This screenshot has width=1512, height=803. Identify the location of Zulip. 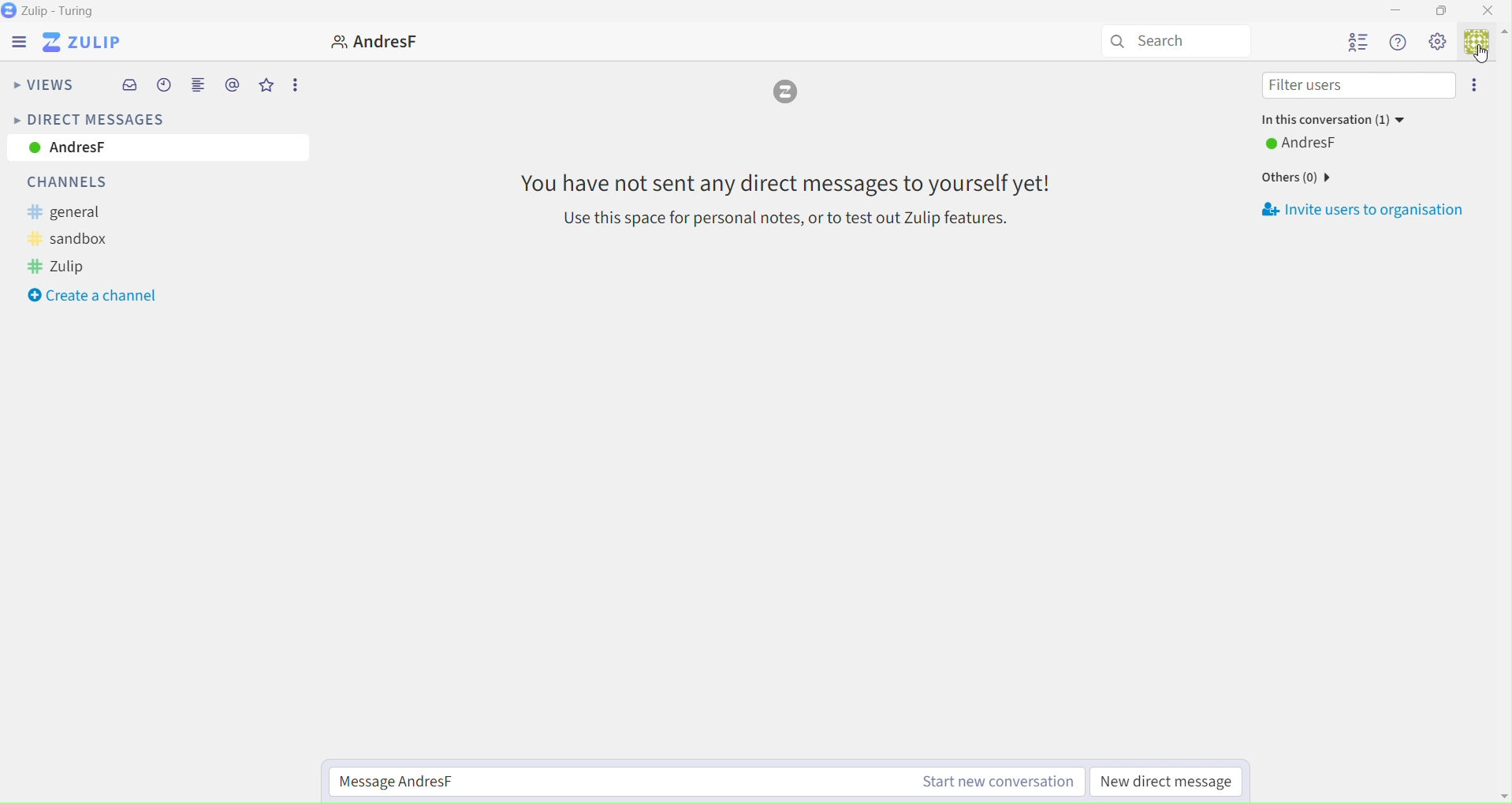
(87, 43).